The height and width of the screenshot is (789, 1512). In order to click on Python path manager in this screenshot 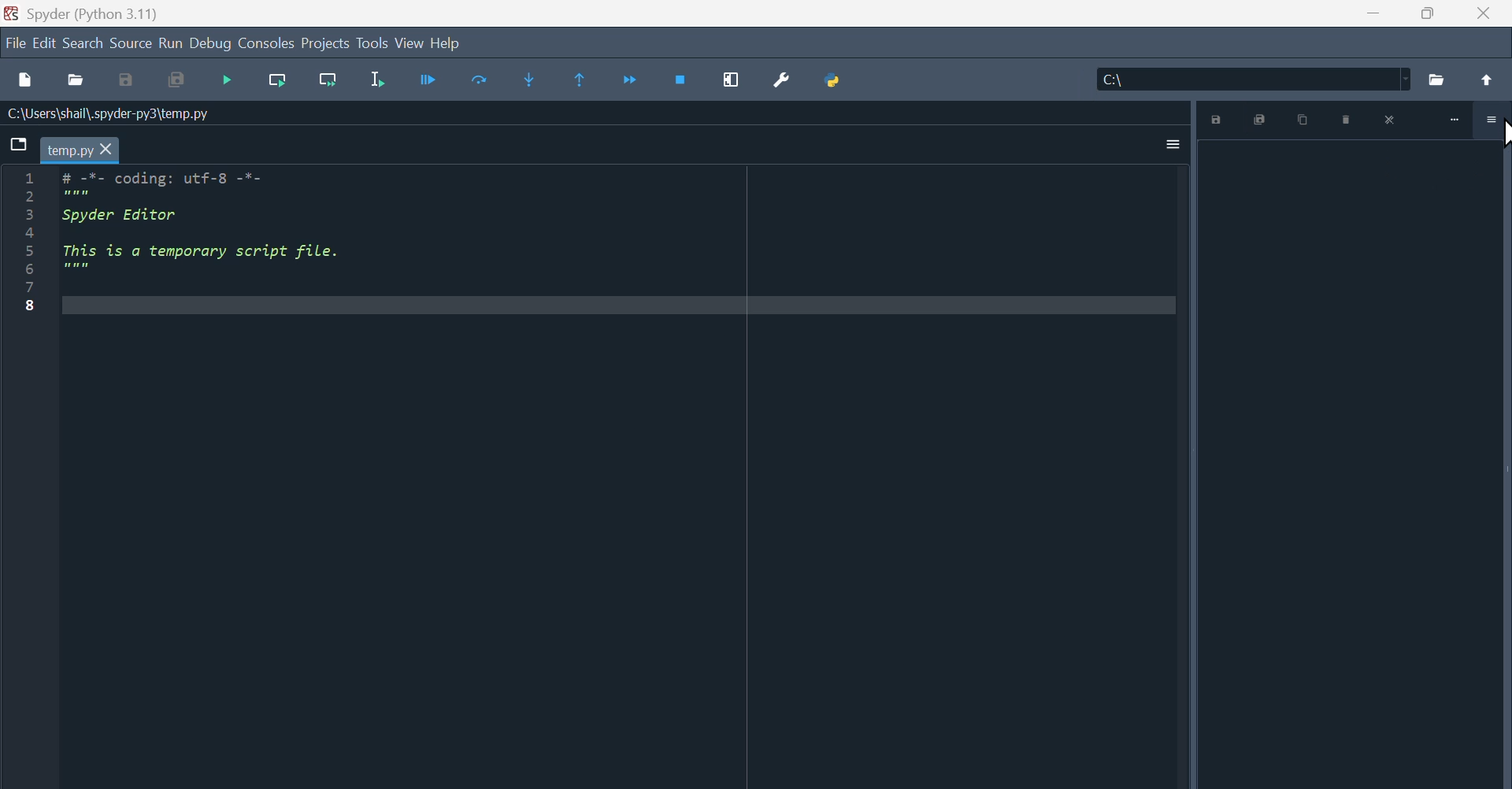, I will do `click(836, 80)`.